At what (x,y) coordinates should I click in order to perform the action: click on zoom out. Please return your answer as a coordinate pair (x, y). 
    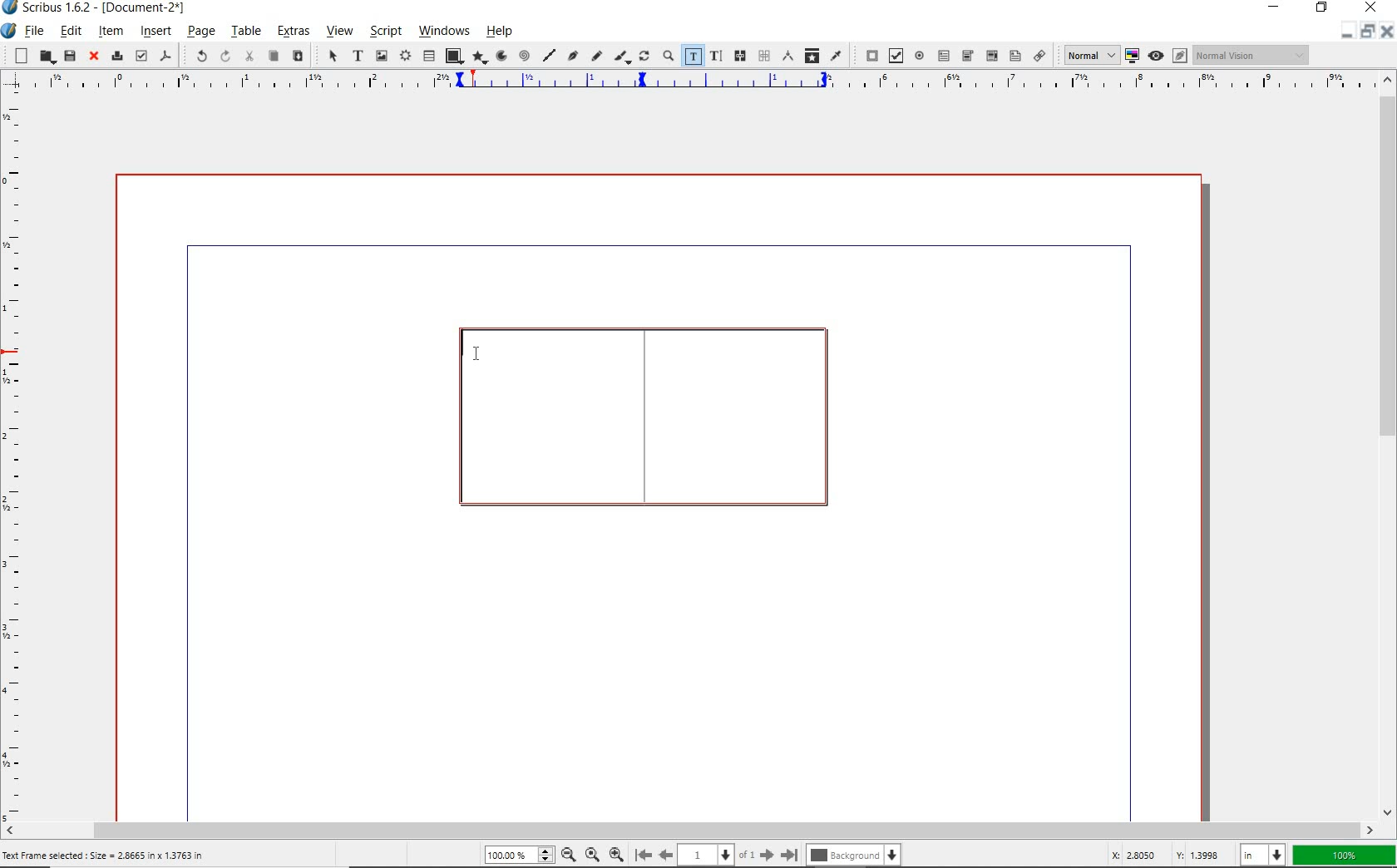
    Looking at the image, I should click on (568, 854).